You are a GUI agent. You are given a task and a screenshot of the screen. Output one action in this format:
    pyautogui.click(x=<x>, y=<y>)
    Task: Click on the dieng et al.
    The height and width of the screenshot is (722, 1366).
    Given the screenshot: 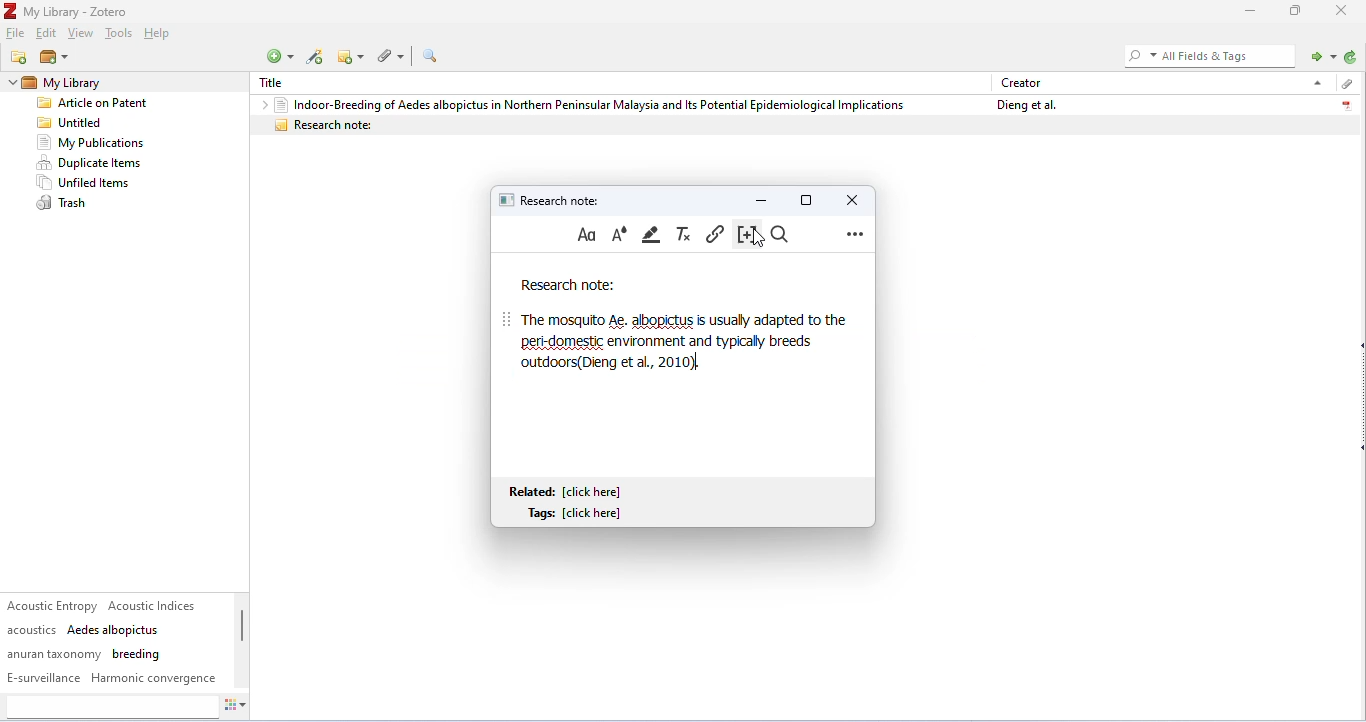 What is the action you would take?
    pyautogui.click(x=1024, y=105)
    